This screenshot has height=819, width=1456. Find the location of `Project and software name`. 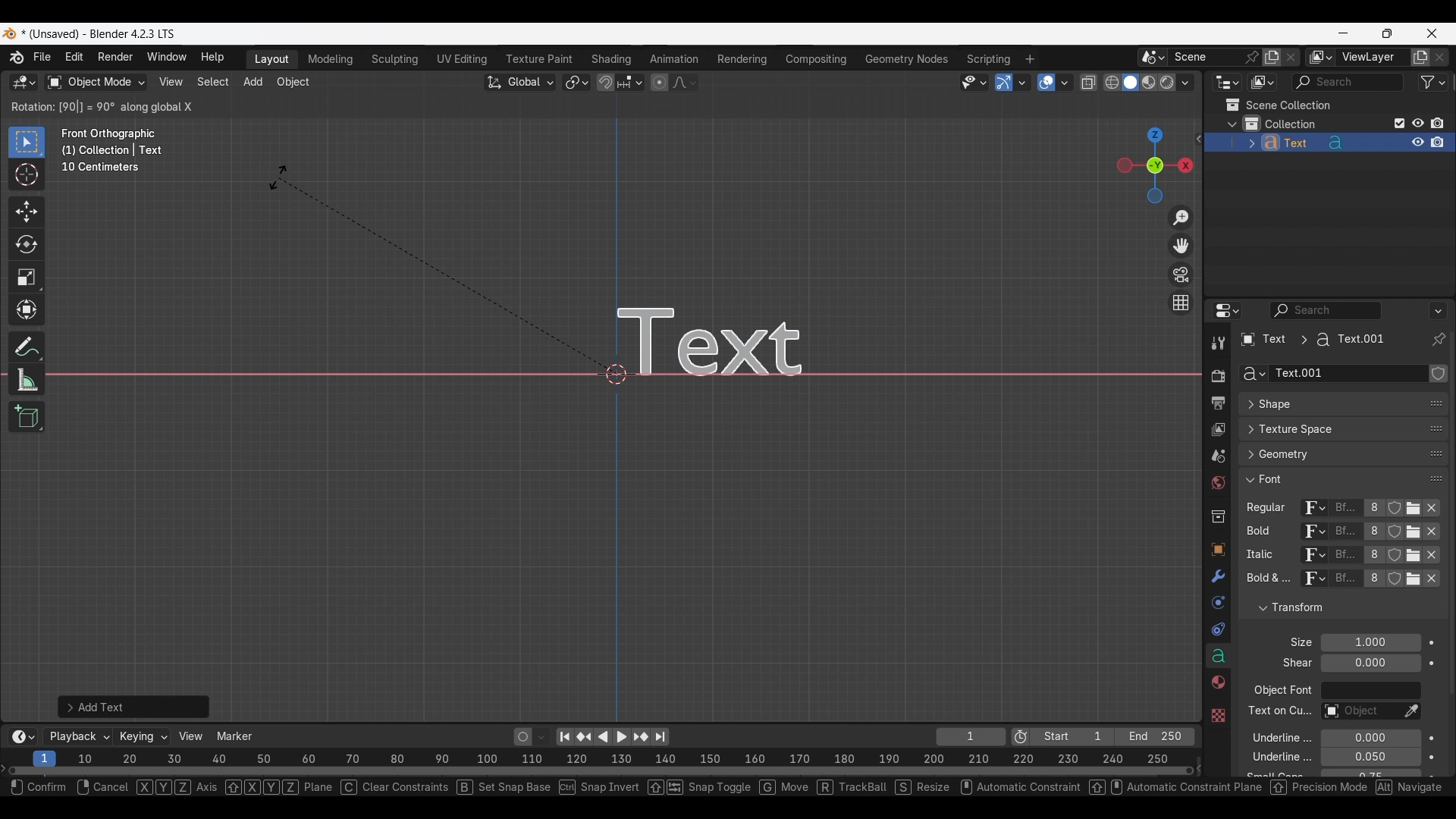

Project and software name is located at coordinates (99, 34).